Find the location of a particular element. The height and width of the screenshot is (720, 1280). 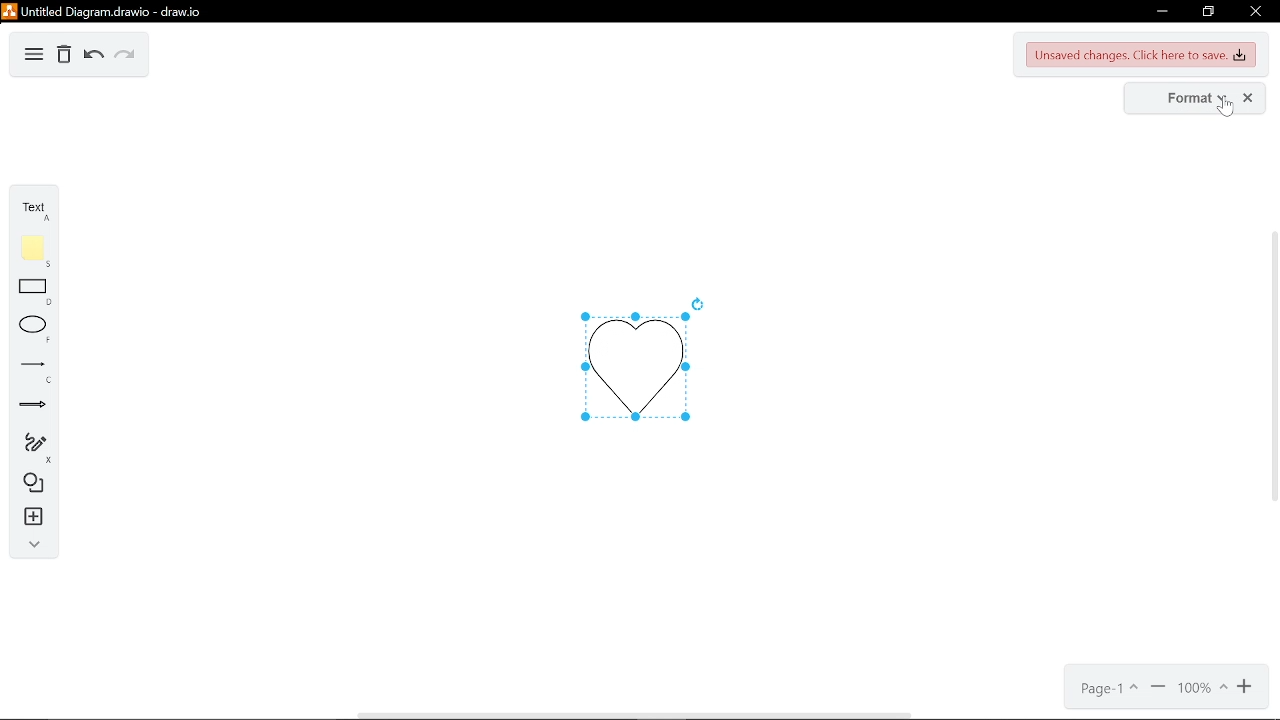

zoom out is located at coordinates (1158, 688).